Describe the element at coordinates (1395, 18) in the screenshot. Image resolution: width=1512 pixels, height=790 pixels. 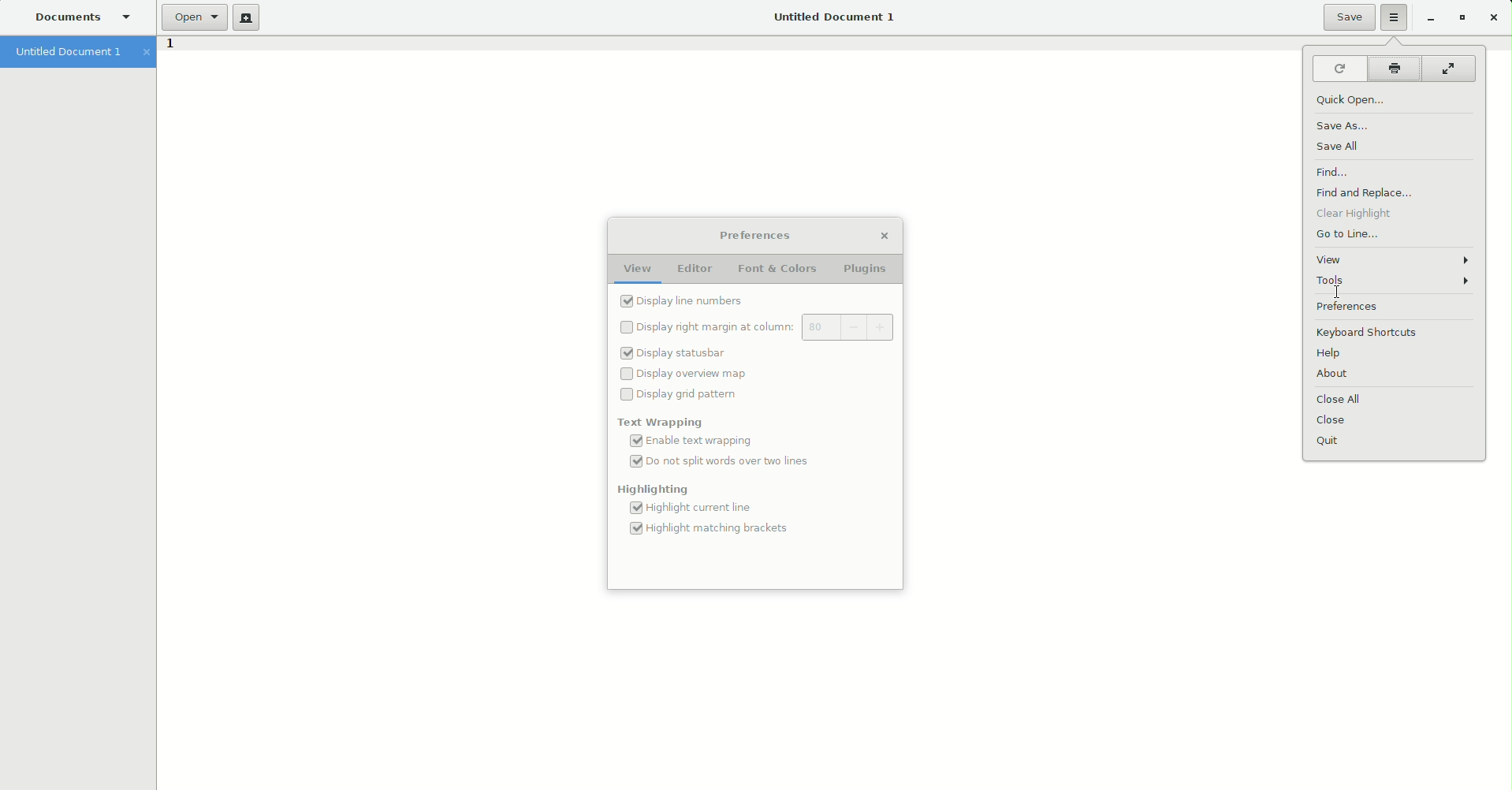
I see `Options` at that location.